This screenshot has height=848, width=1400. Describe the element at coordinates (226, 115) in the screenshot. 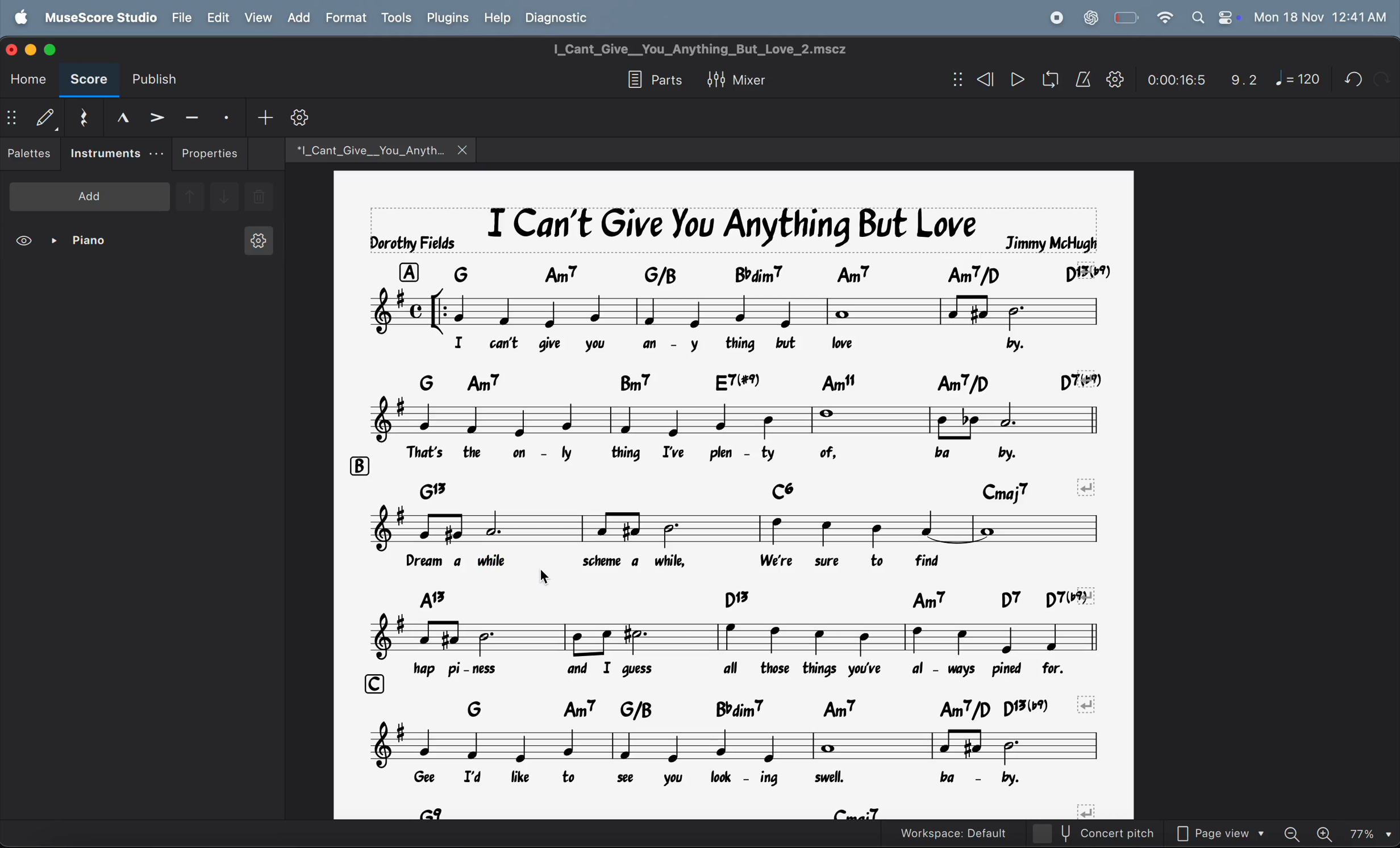

I see `stacatto` at that location.